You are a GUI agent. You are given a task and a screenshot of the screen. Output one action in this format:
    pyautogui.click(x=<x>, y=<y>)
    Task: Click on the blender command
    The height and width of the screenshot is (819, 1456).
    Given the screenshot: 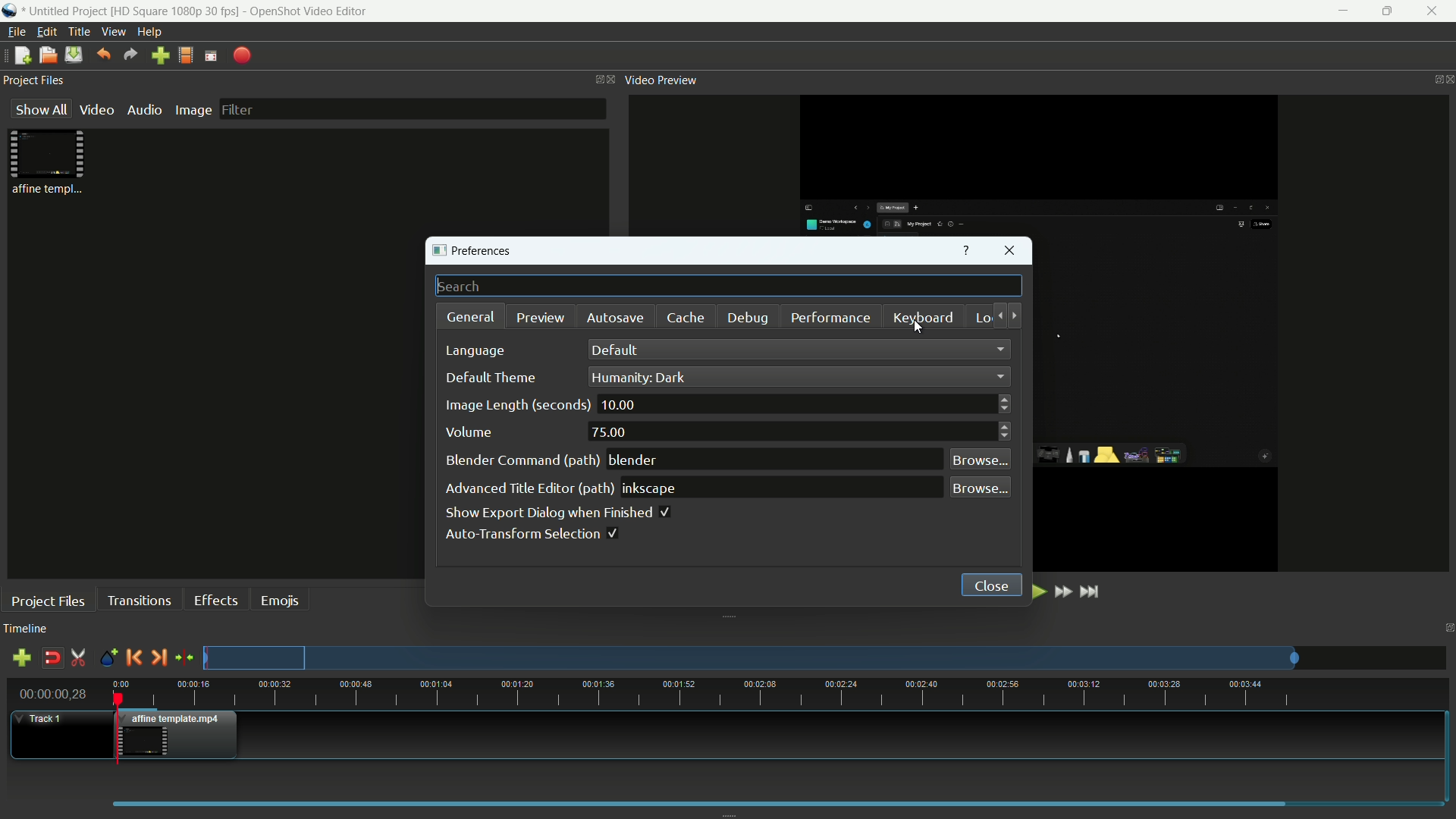 What is the action you would take?
    pyautogui.click(x=522, y=460)
    